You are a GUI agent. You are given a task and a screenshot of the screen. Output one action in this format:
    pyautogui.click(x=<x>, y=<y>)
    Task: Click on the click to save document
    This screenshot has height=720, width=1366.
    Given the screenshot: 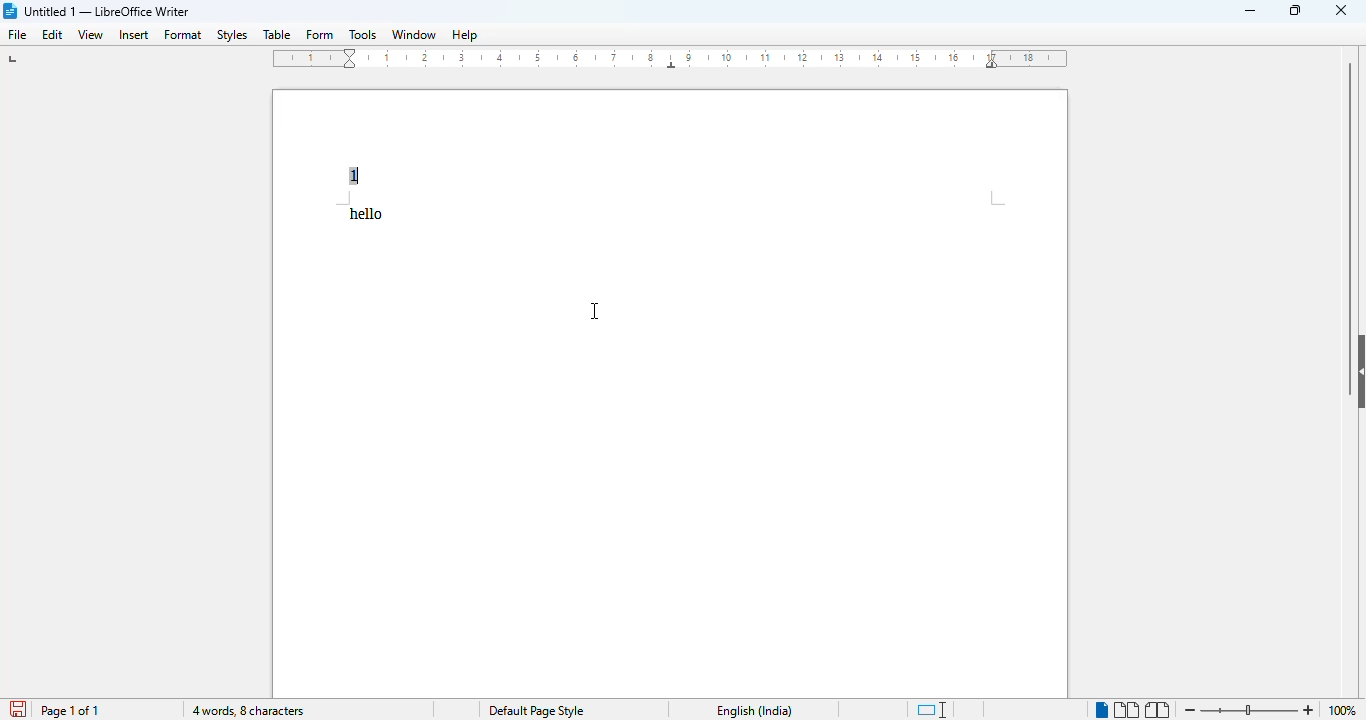 What is the action you would take?
    pyautogui.click(x=18, y=709)
    